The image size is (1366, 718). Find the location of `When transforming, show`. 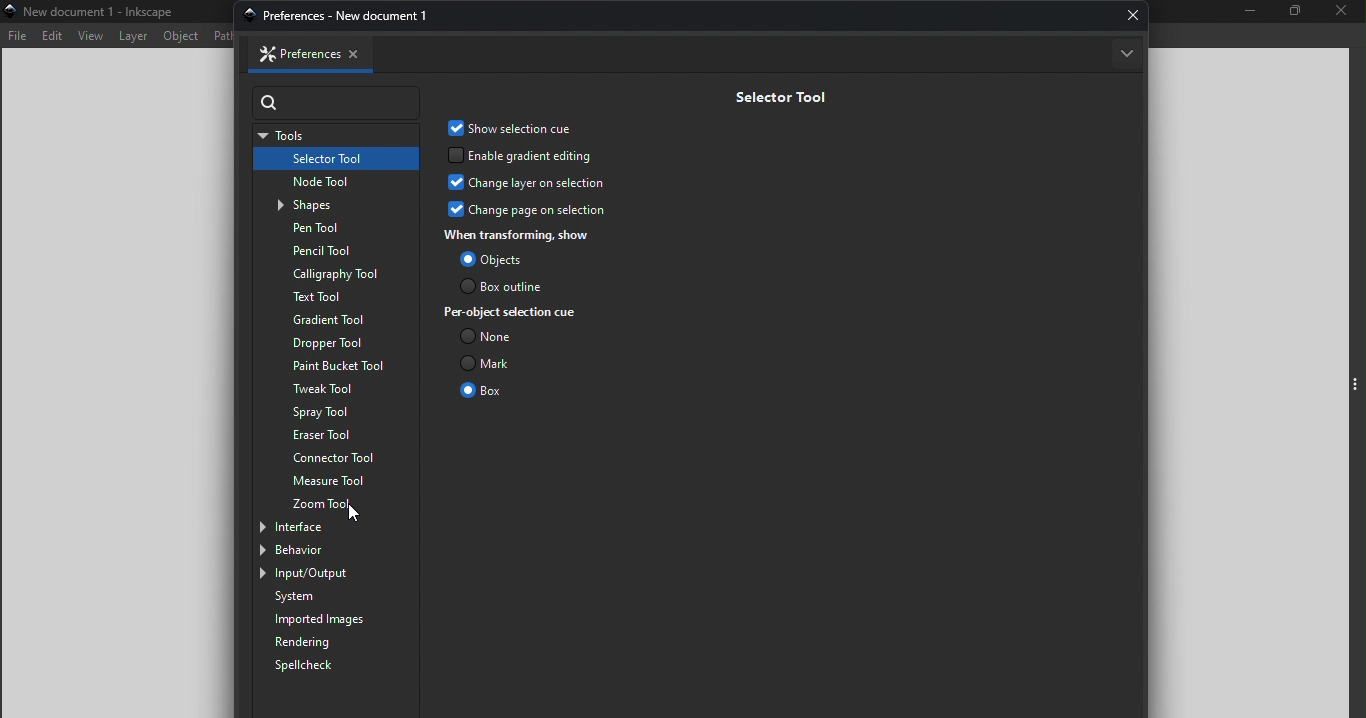

When transforming, show is located at coordinates (515, 235).